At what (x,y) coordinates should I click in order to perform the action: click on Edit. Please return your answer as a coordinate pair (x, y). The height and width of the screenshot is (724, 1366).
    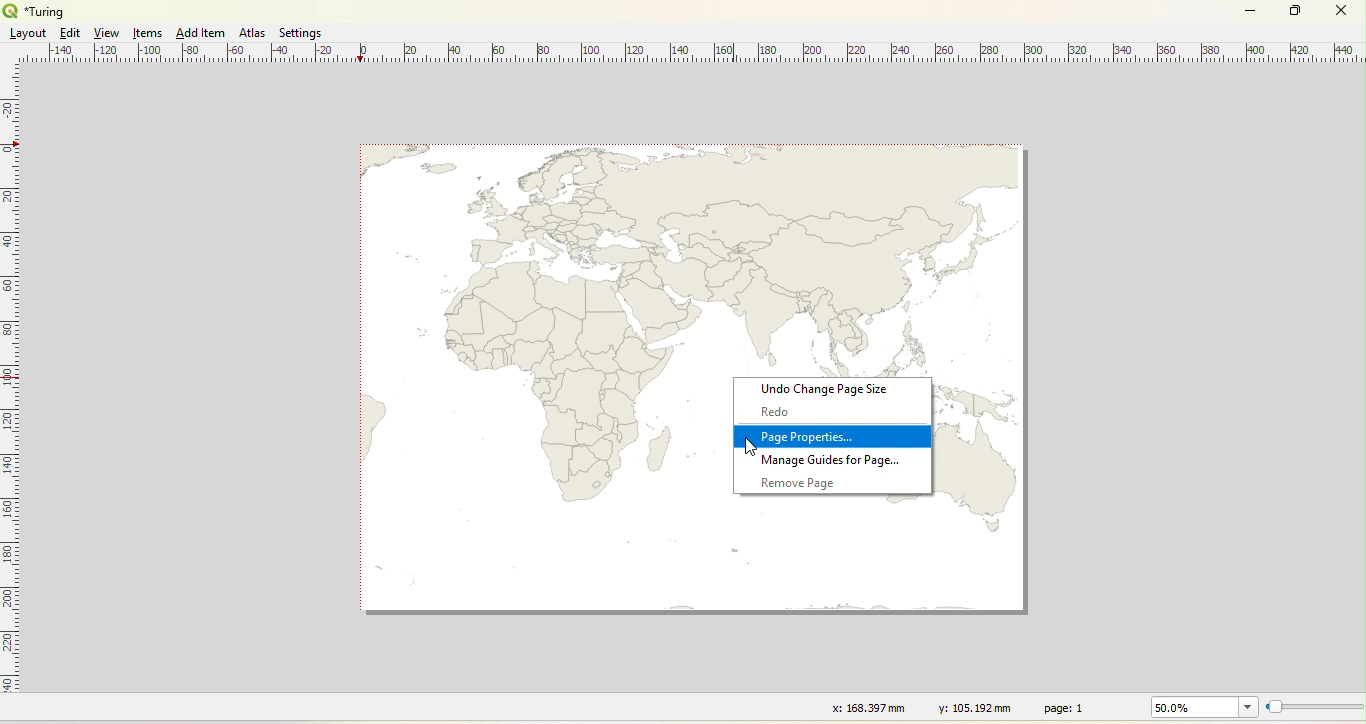
    Looking at the image, I should click on (68, 33).